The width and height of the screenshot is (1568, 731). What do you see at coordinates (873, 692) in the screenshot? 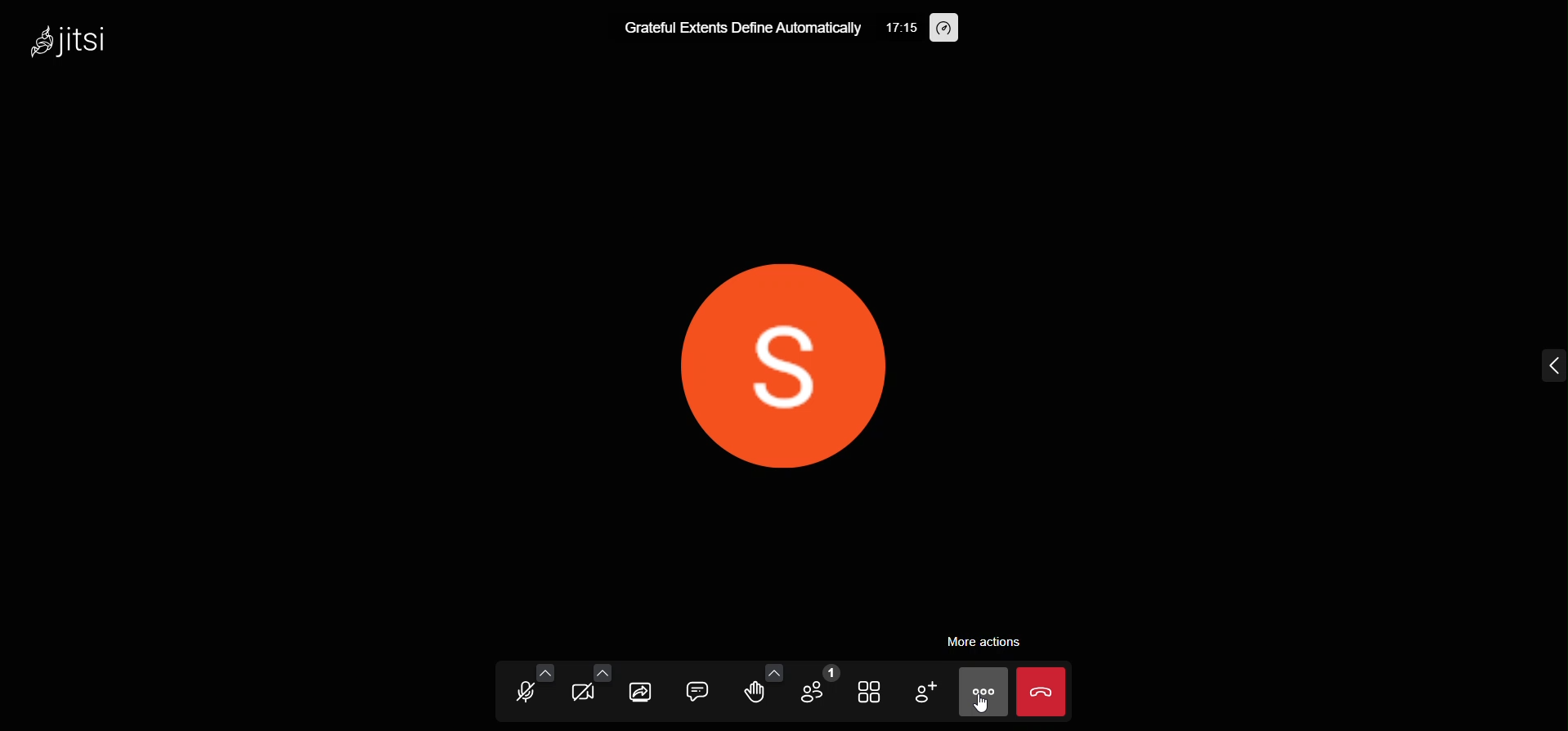
I see `tile view` at bounding box center [873, 692].